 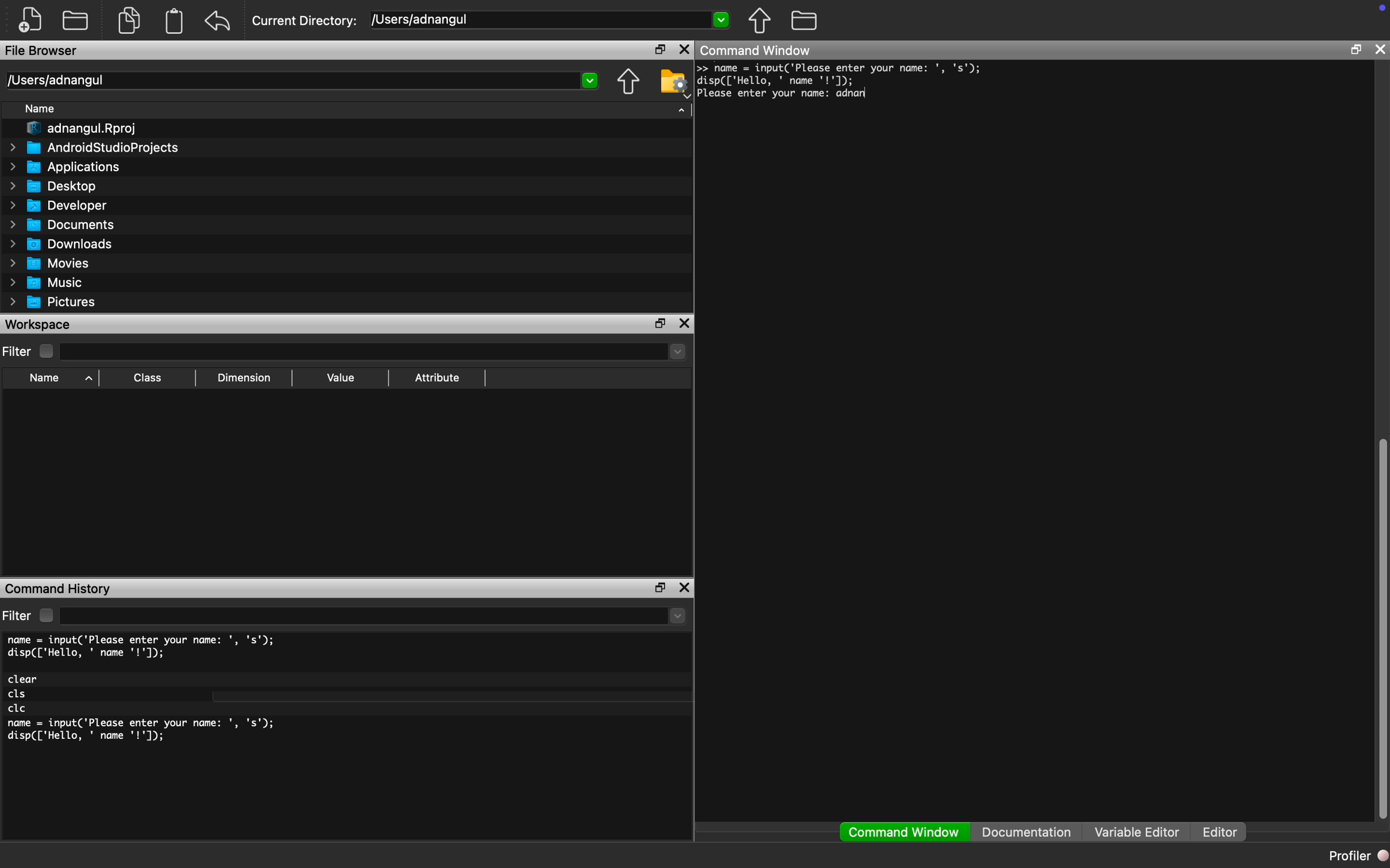 What do you see at coordinates (684, 323) in the screenshot?
I see `close` at bounding box center [684, 323].